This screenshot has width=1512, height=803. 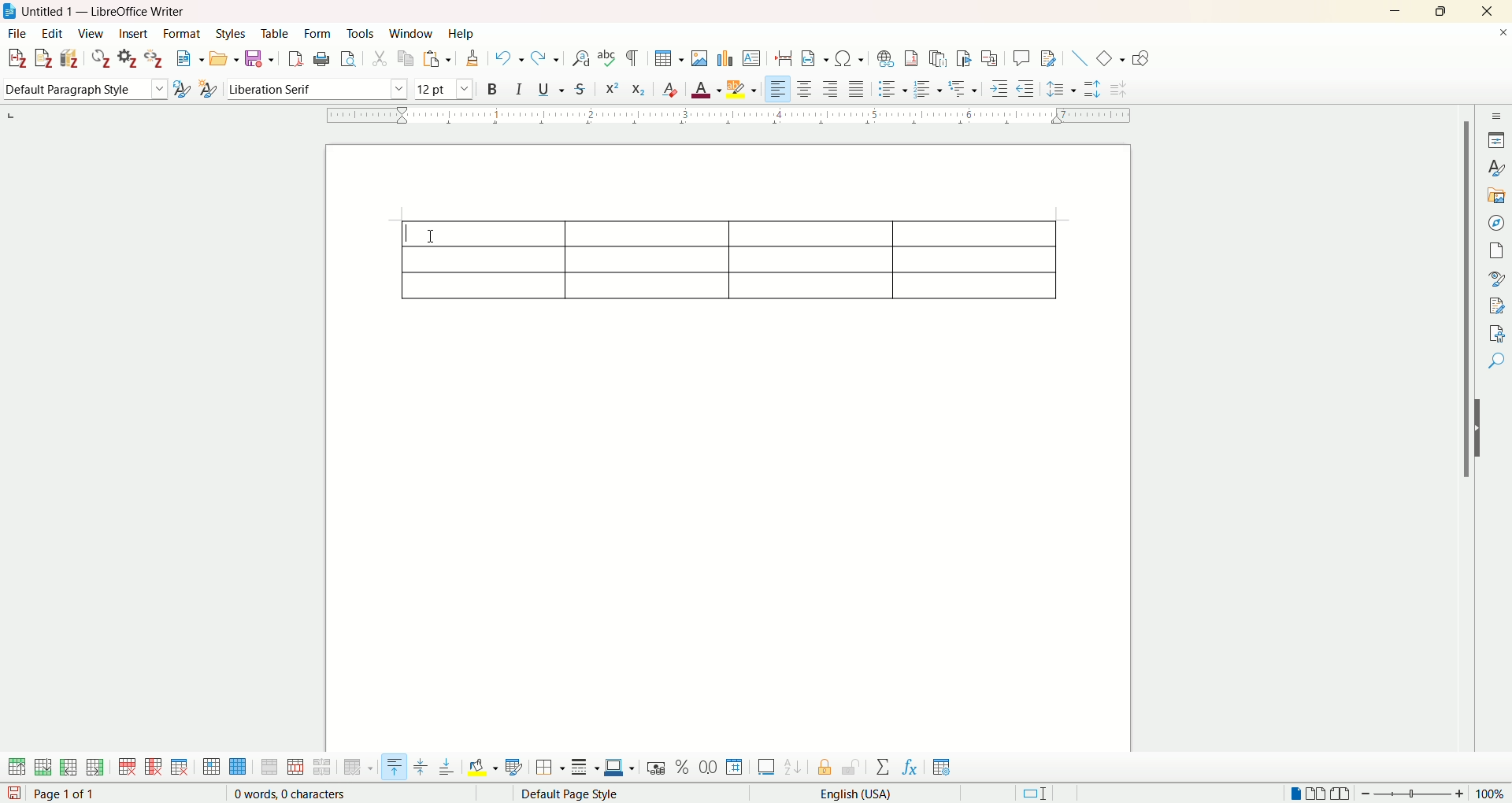 I want to click on format as currency, so click(x=655, y=770).